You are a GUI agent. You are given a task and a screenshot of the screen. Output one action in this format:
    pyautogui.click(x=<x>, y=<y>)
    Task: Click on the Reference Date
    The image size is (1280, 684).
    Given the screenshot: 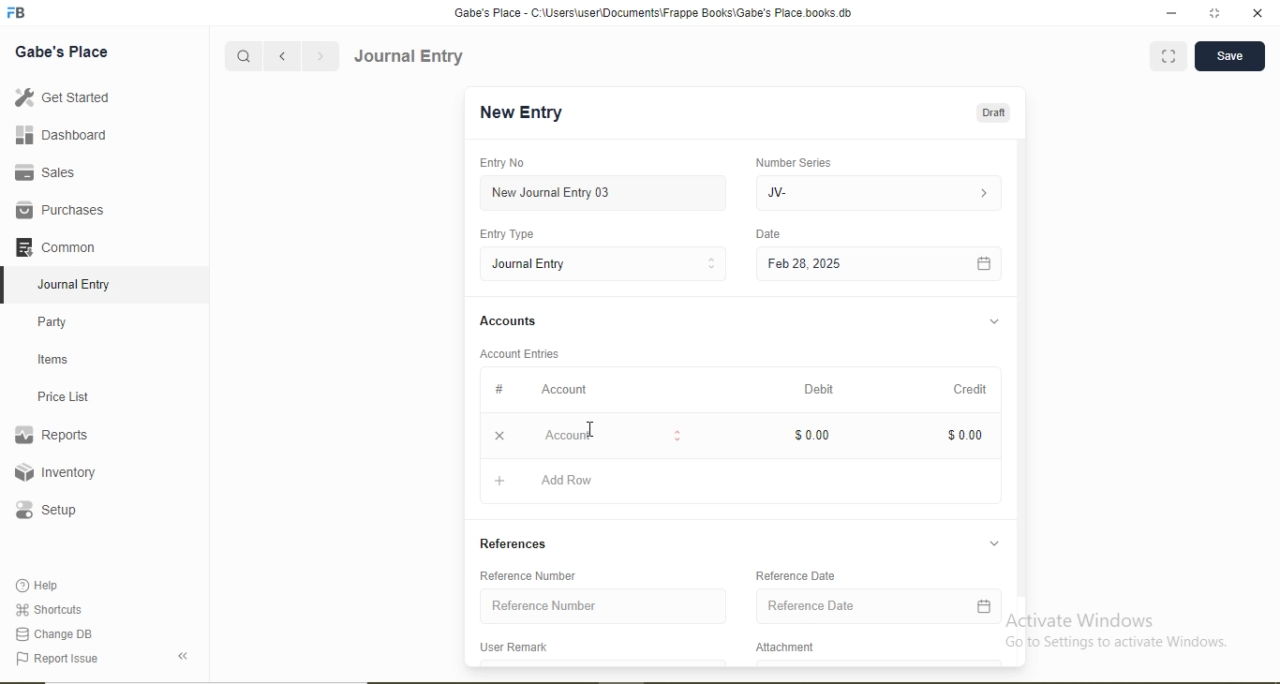 What is the action you would take?
    pyautogui.click(x=795, y=574)
    